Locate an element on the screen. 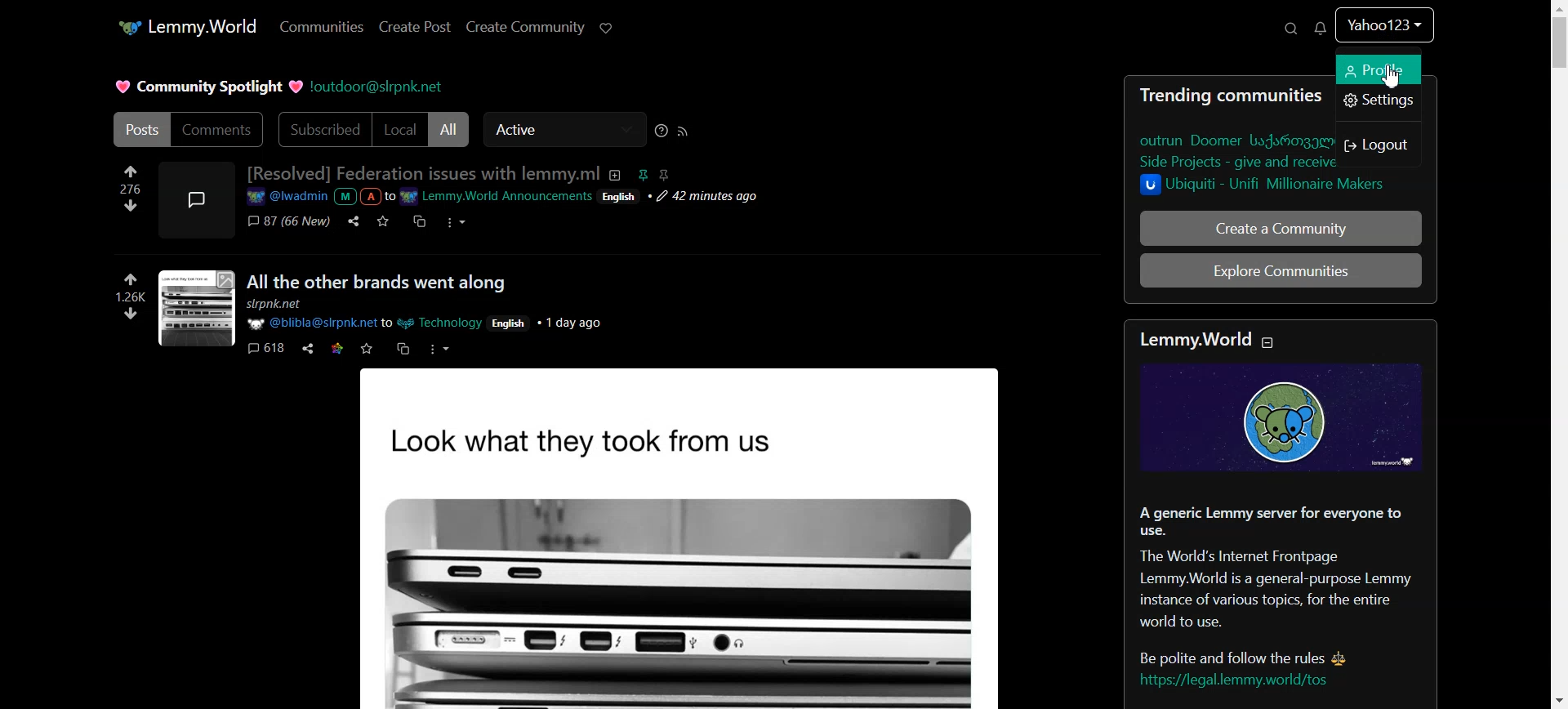  AIl the other brands went along is located at coordinates (373, 283).